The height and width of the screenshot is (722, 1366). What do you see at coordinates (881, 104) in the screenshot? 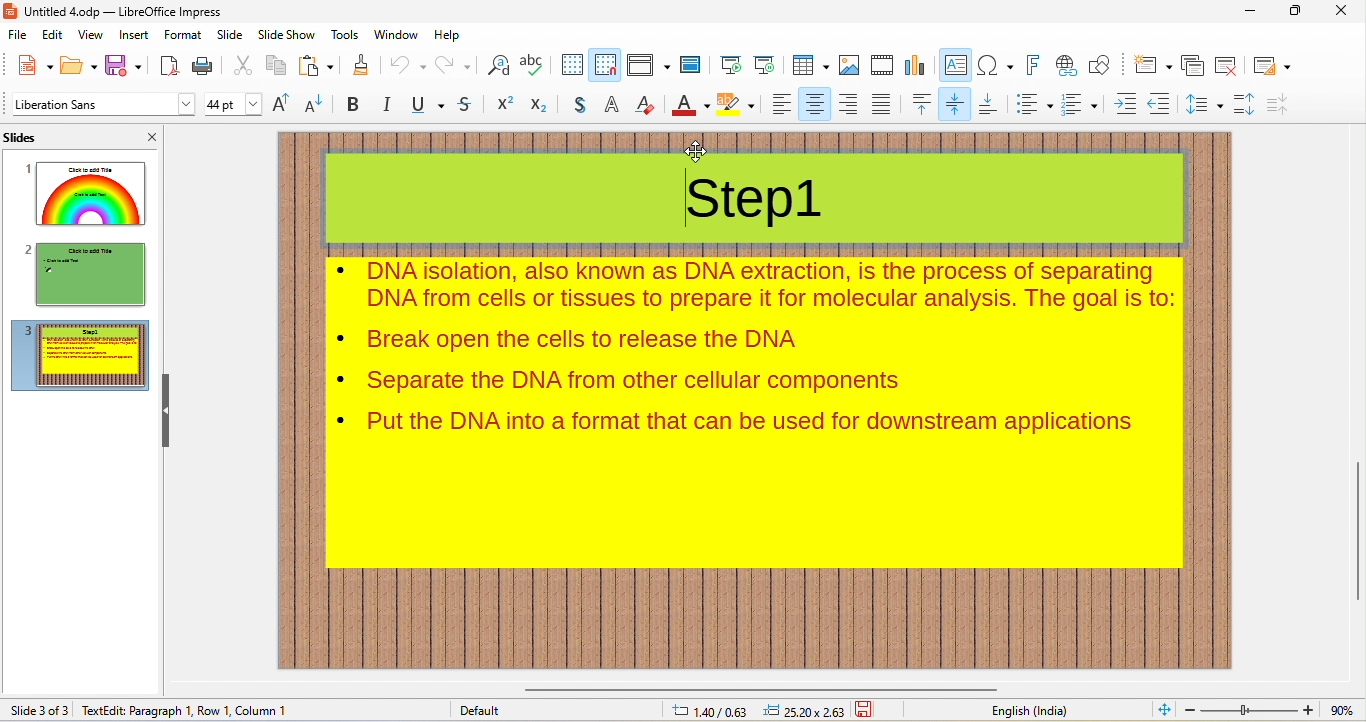
I see `justified` at bounding box center [881, 104].